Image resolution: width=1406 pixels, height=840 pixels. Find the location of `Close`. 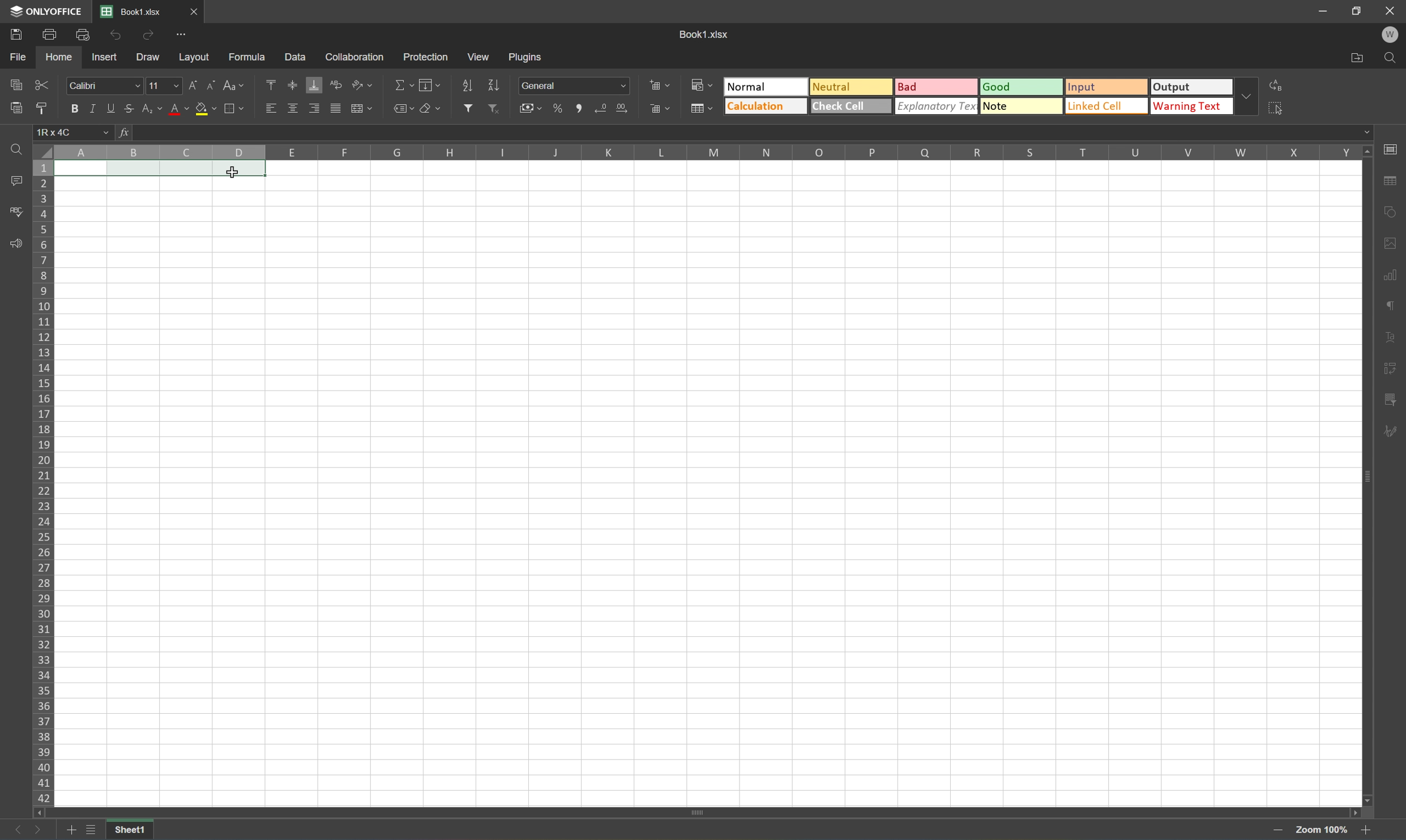

Close is located at coordinates (1390, 11).